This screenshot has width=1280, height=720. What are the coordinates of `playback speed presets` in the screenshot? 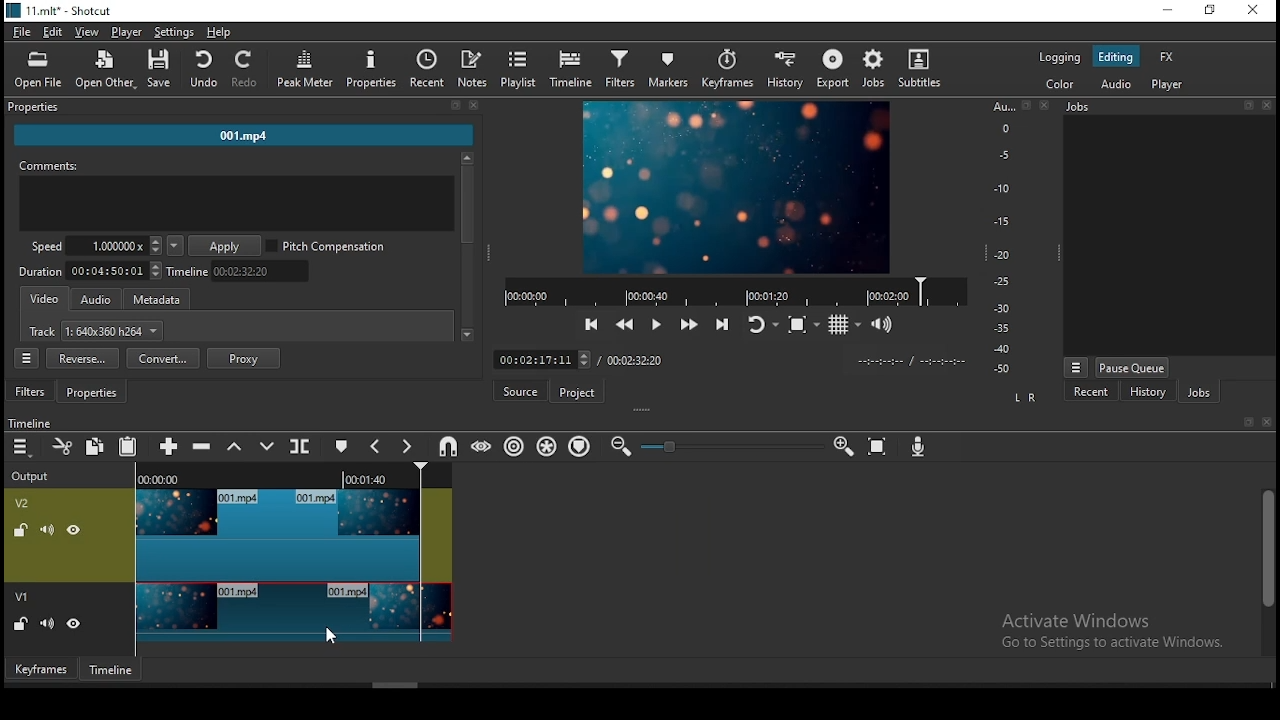 It's located at (174, 246).